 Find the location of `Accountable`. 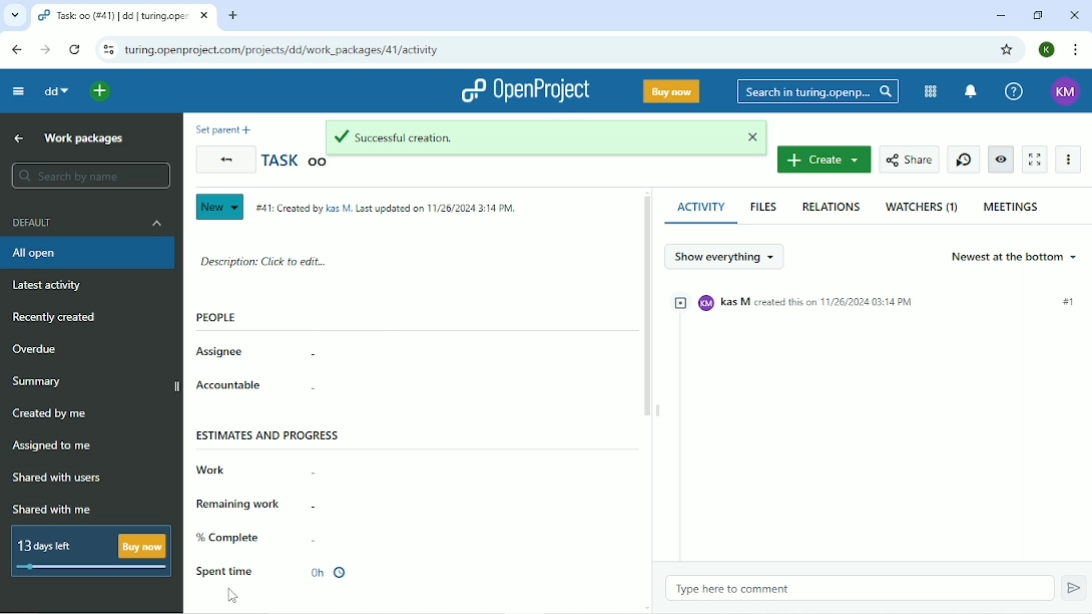

Accountable is located at coordinates (230, 384).